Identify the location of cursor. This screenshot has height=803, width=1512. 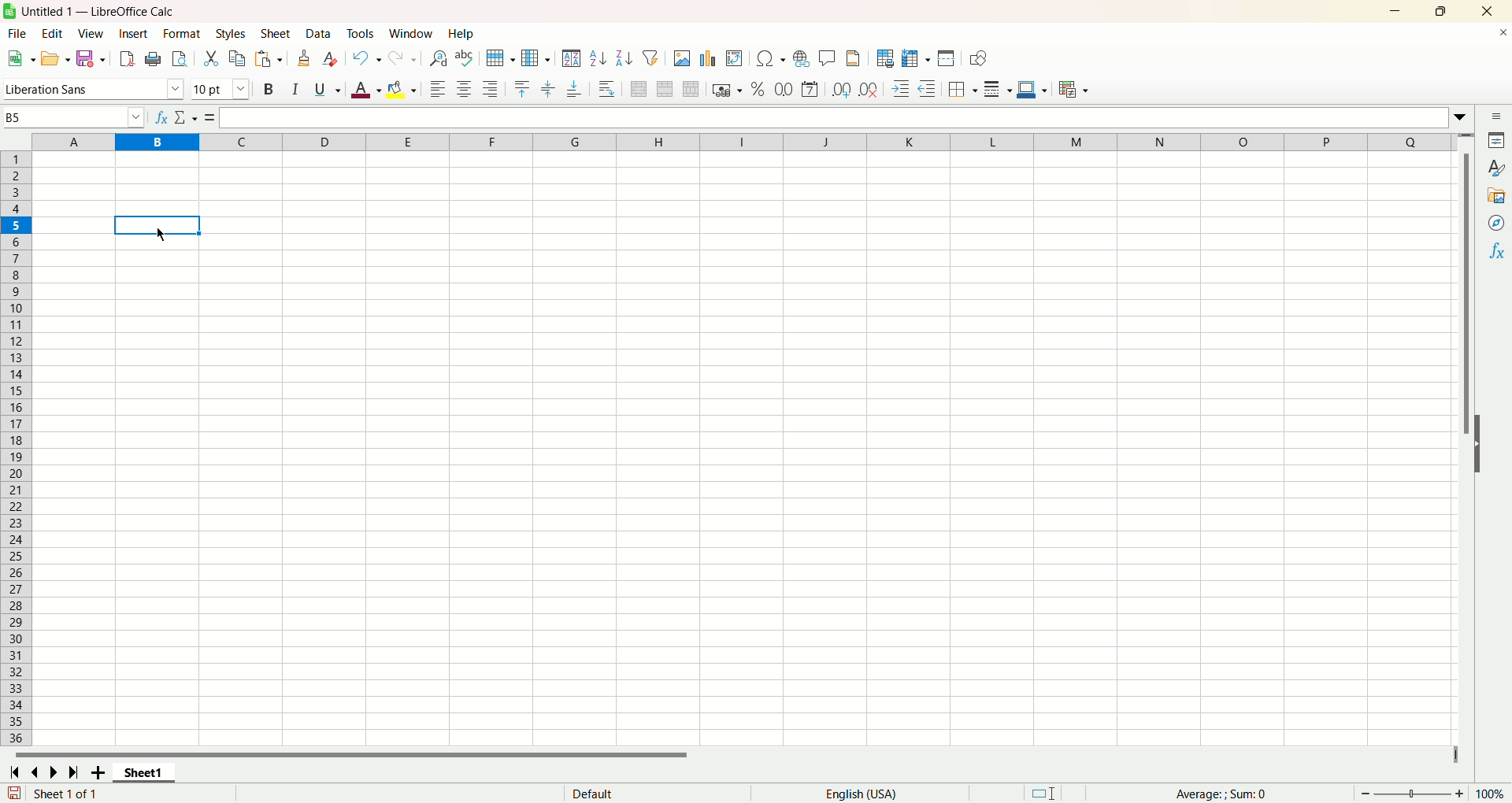
(163, 235).